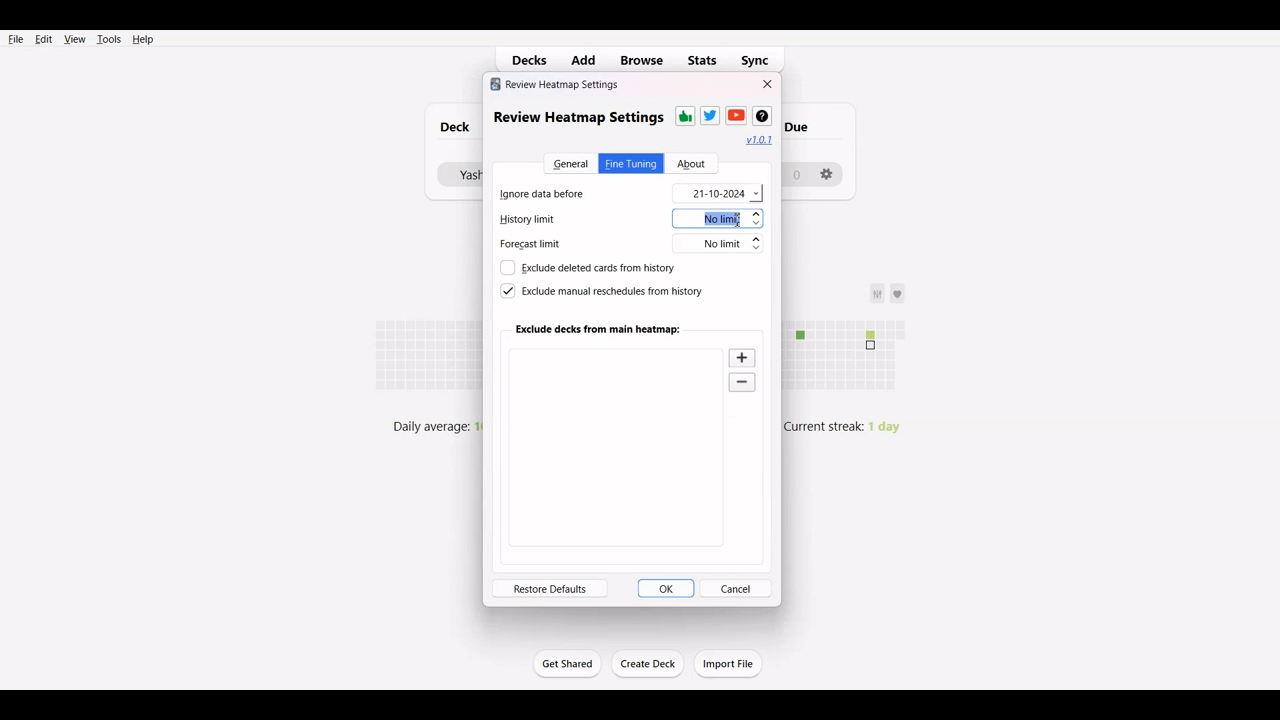 The width and height of the screenshot is (1280, 720). What do you see at coordinates (722, 246) in the screenshot?
I see `No limit ` at bounding box center [722, 246].